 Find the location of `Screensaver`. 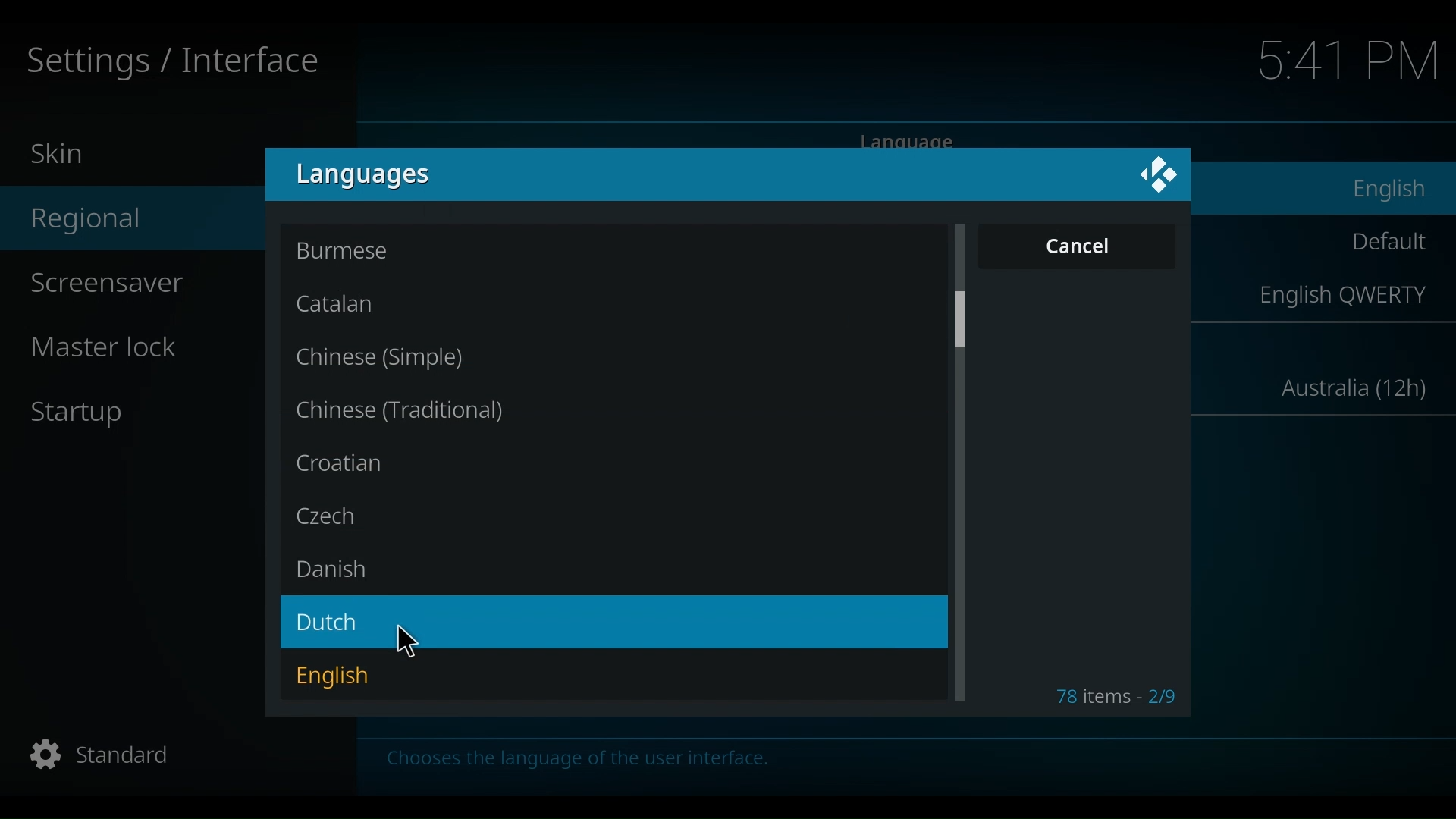

Screensaver is located at coordinates (107, 285).